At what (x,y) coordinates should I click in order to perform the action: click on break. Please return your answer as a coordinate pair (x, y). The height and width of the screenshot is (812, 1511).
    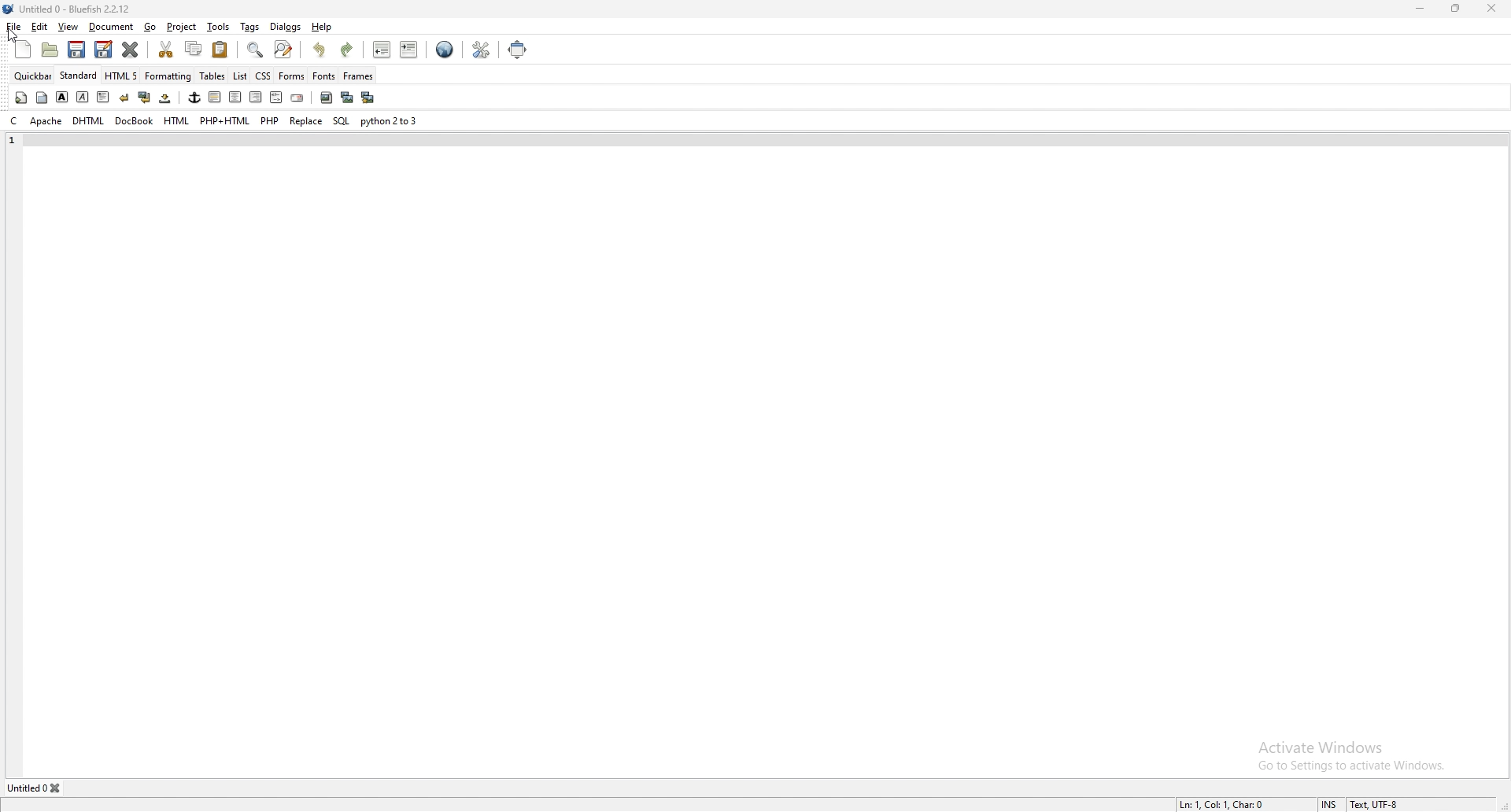
    Looking at the image, I should click on (124, 98).